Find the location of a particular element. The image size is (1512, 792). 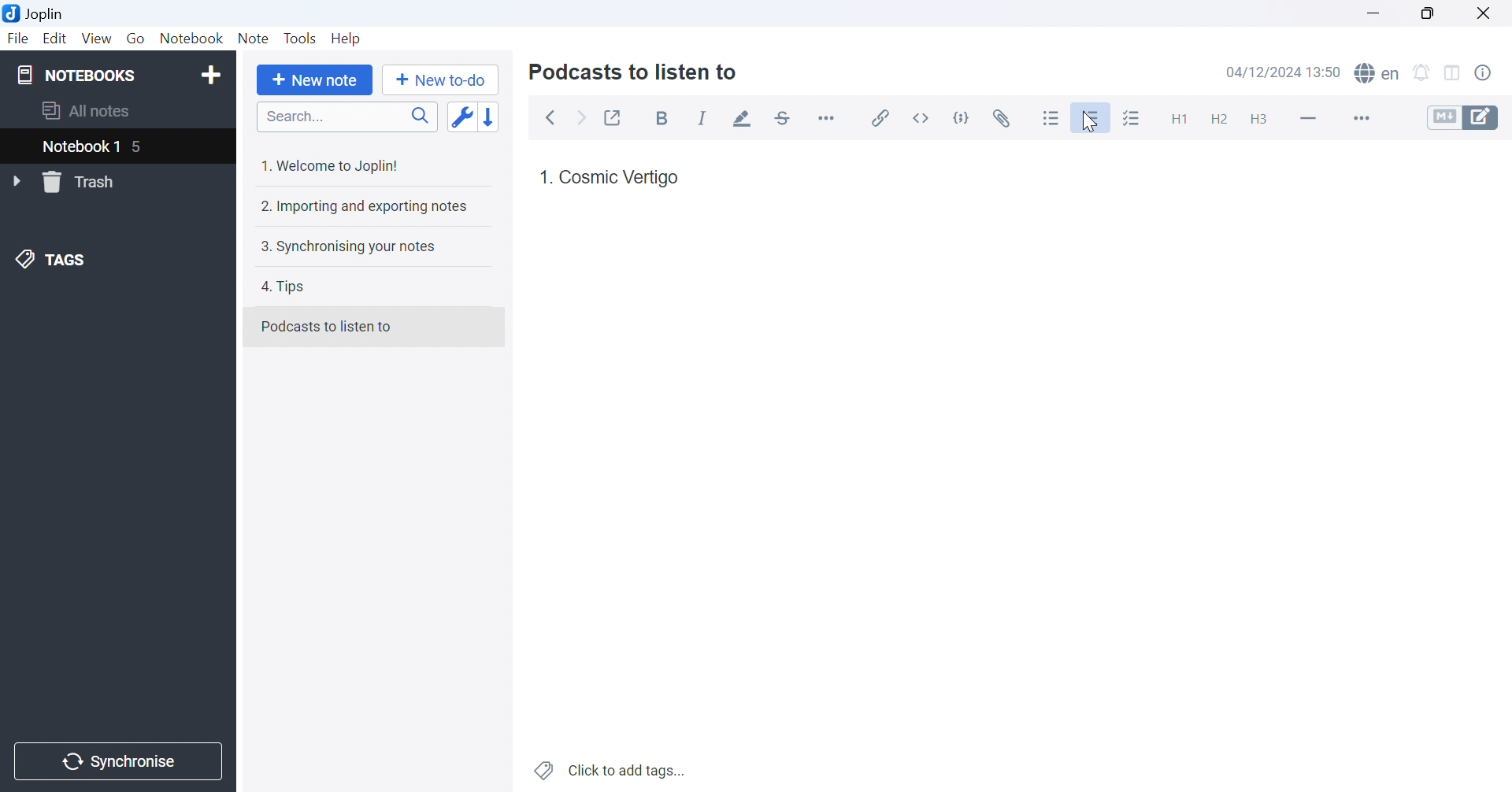

Podcasts to listen to is located at coordinates (636, 74).